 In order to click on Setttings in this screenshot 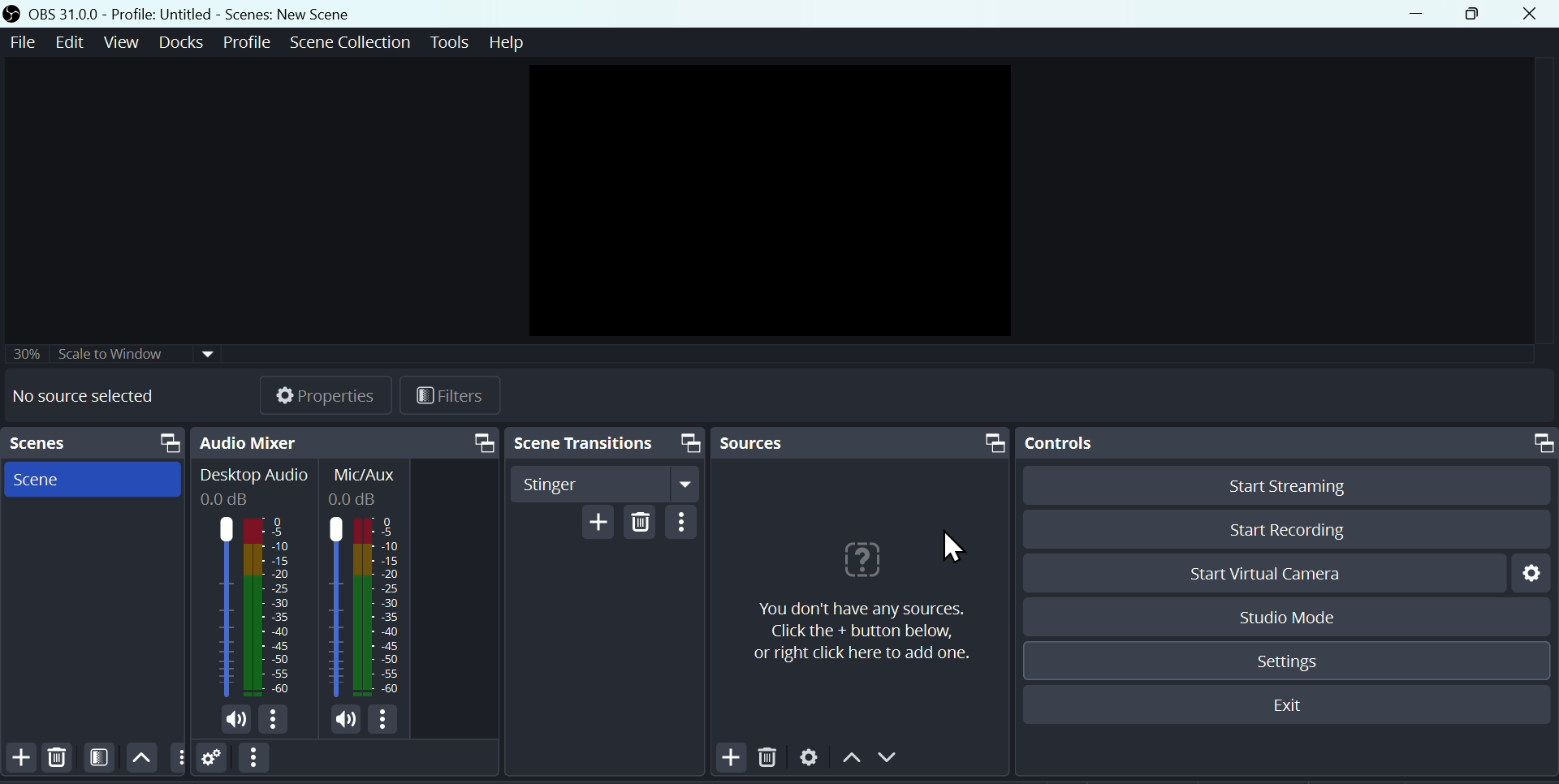, I will do `click(1292, 659)`.